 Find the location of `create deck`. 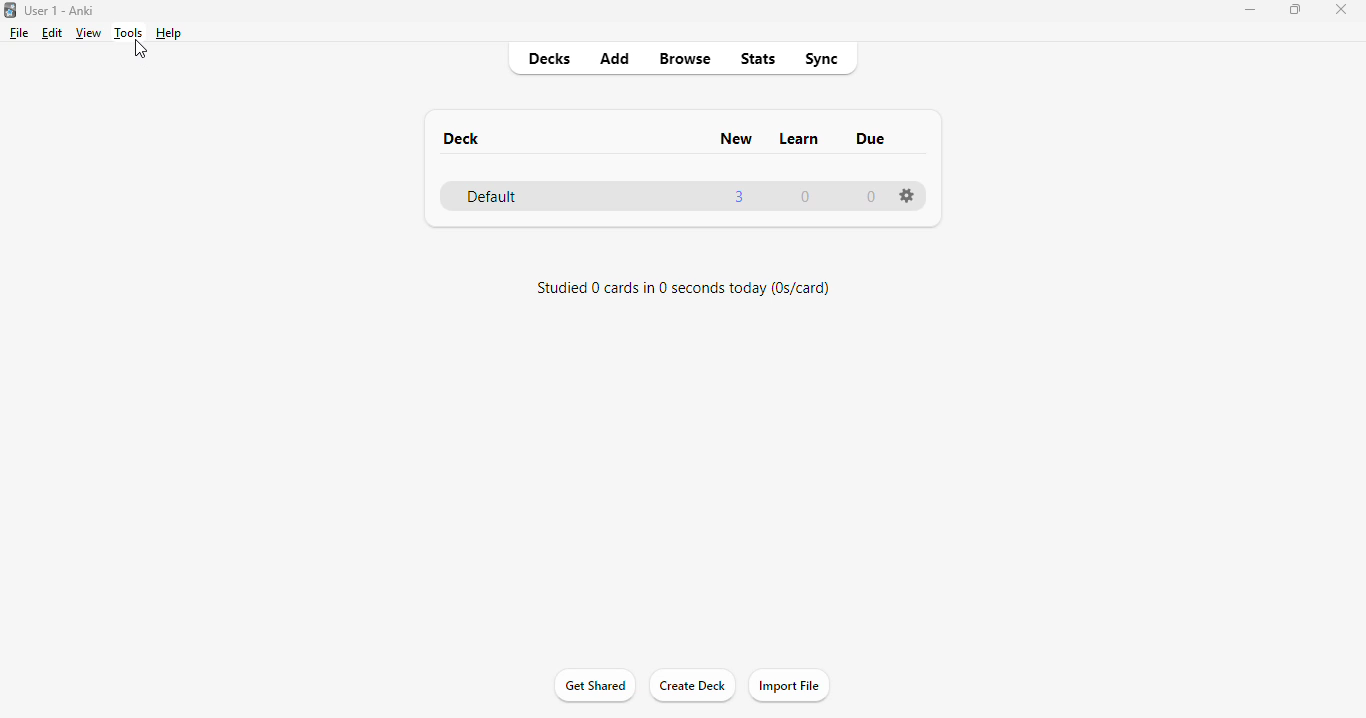

create deck is located at coordinates (693, 685).